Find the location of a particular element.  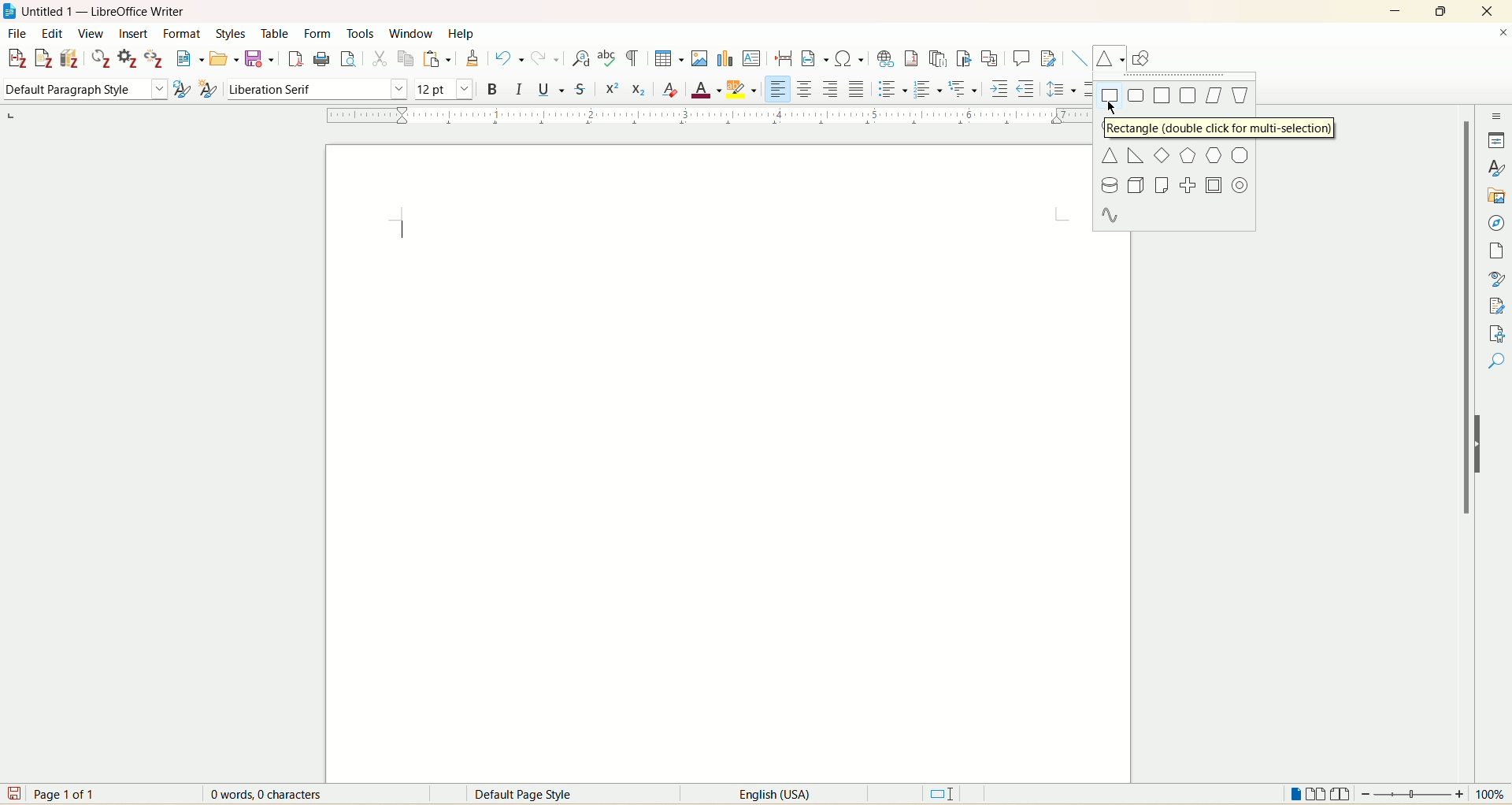

pentagon is located at coordinates (1188, 157).